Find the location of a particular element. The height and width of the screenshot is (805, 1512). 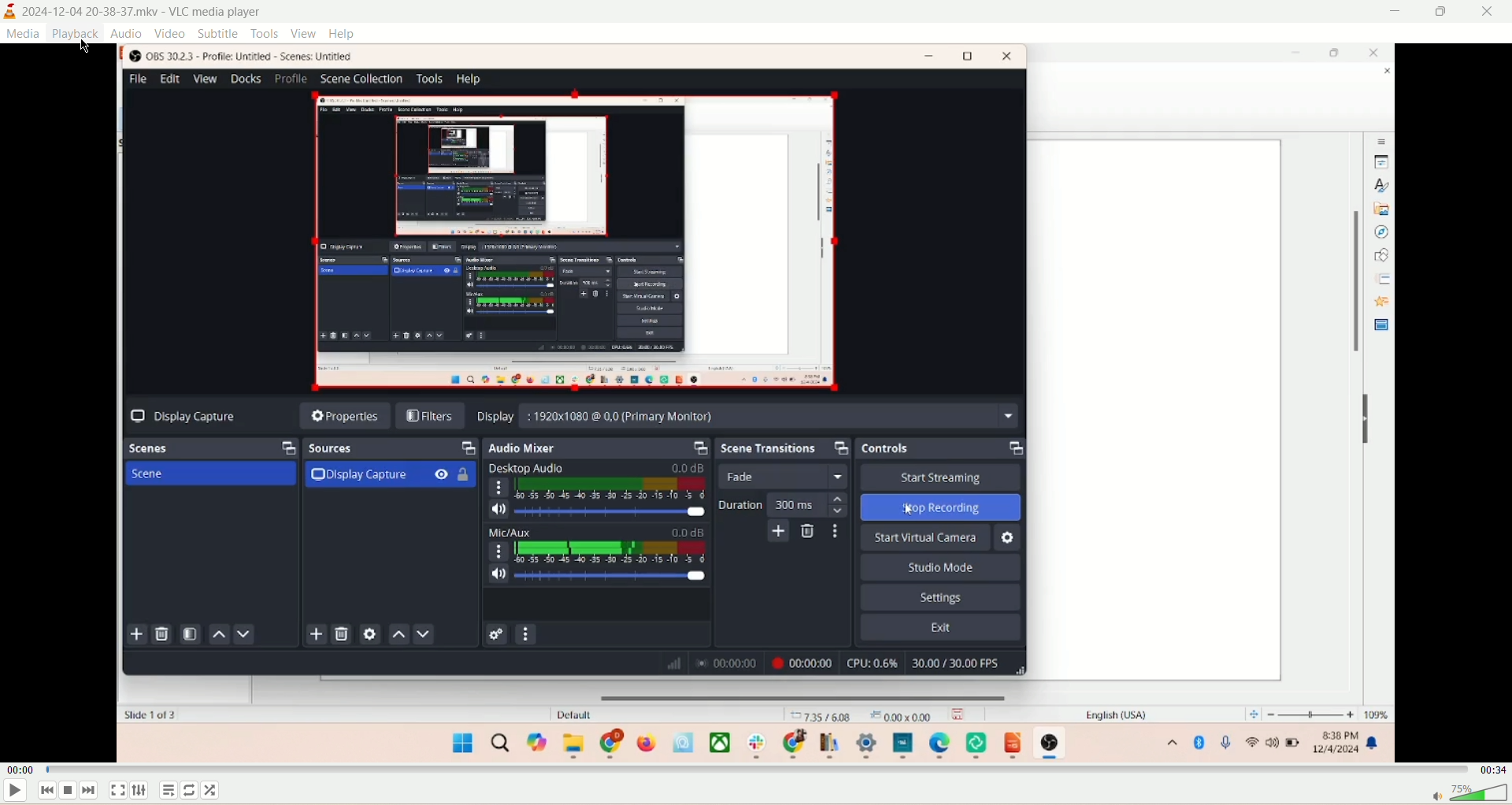

main screen is located at coordinates (756, 402).